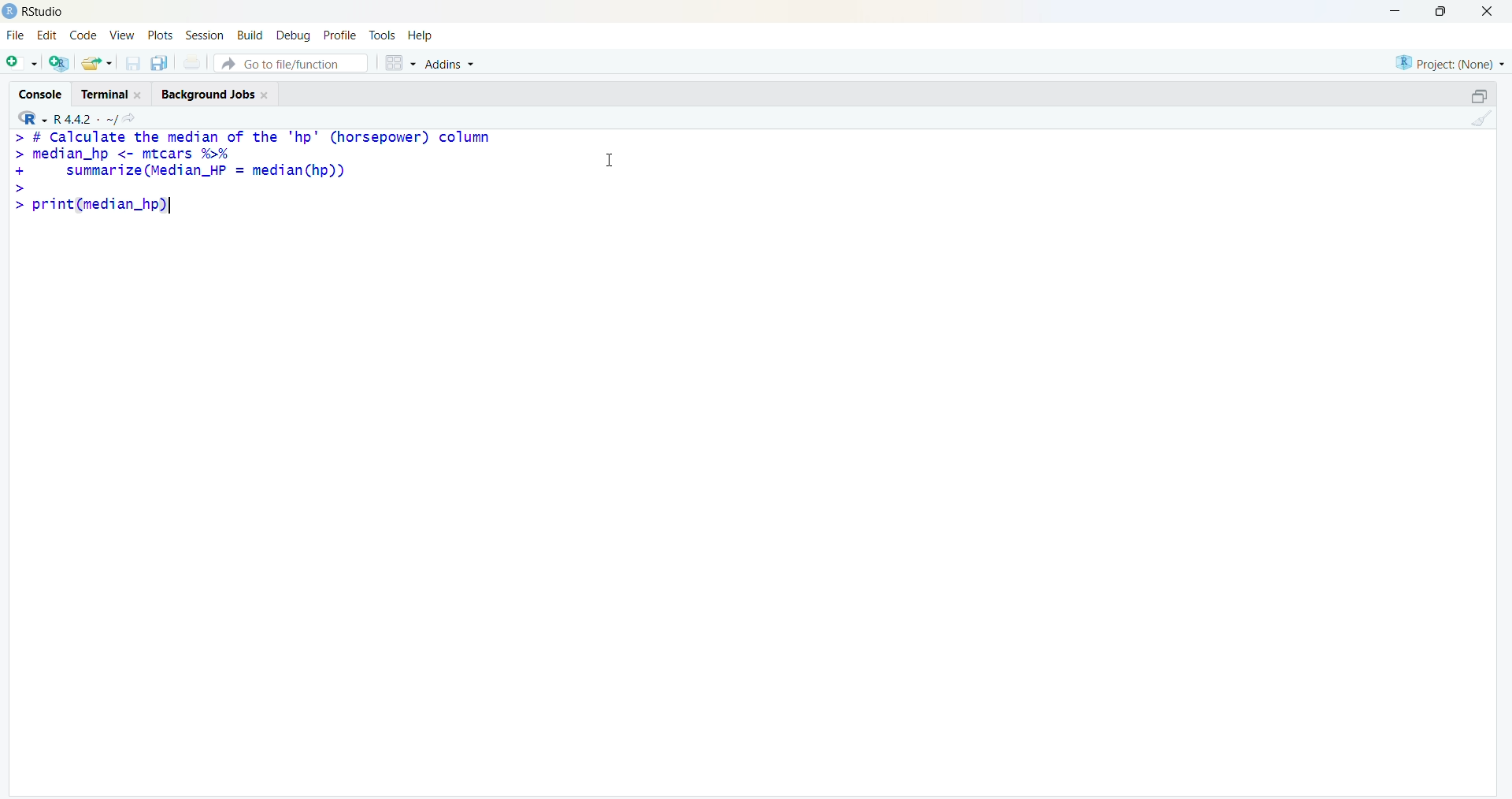 Image resolution: width=1512 pixels, height=799 pixels. Describe the element at coordinates (1488, 10) in the screenshot. I see `close` at that location.